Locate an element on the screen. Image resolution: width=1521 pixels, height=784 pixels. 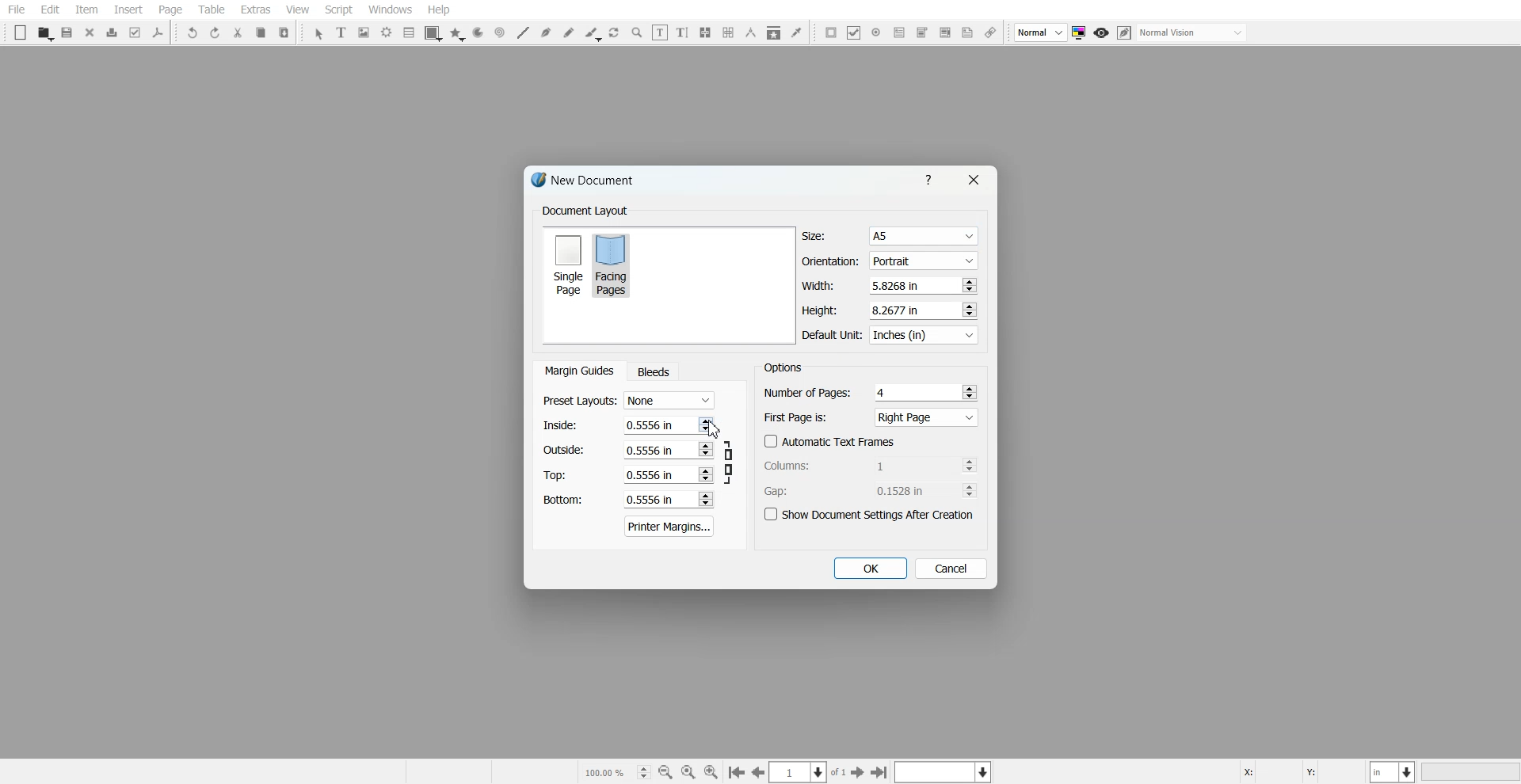
Preview mode is located at coordinates (1102, 33).